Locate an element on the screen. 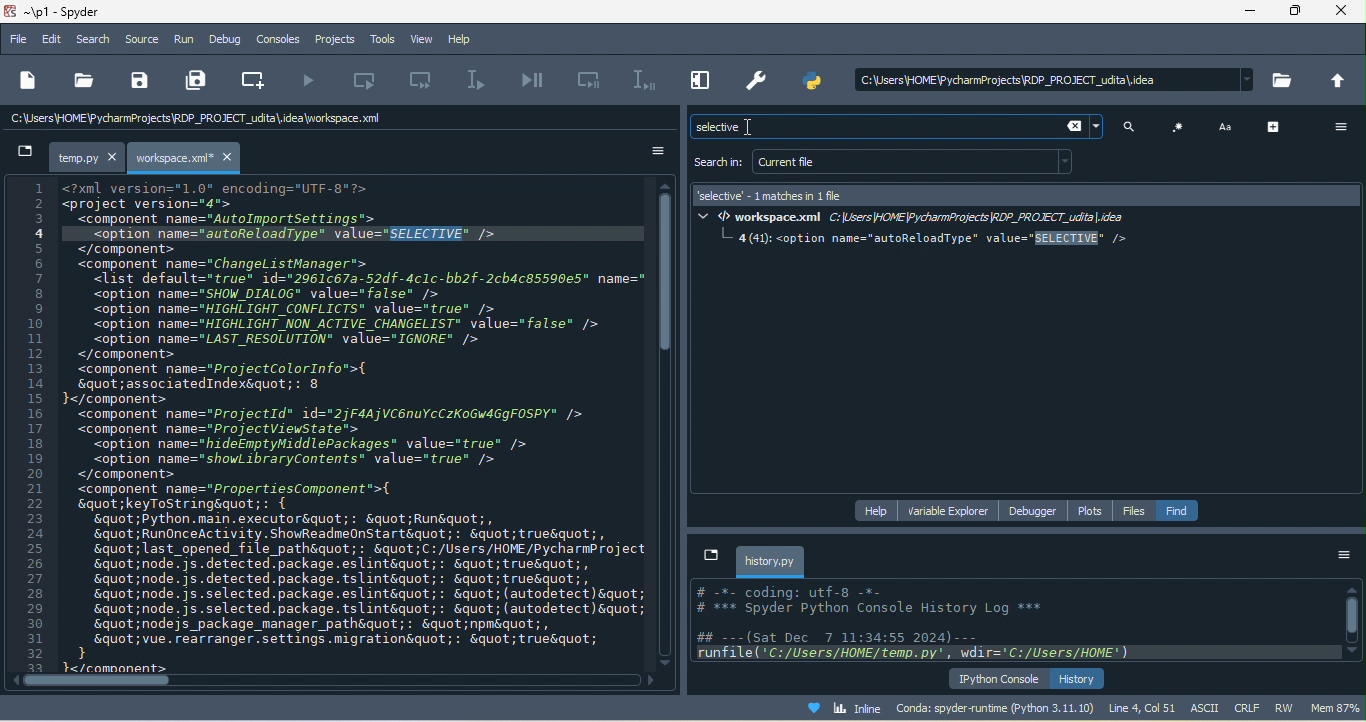 This screenshot has width=1366, height=722. c\users\home\pycharm project is located at coordinates (222, 121).